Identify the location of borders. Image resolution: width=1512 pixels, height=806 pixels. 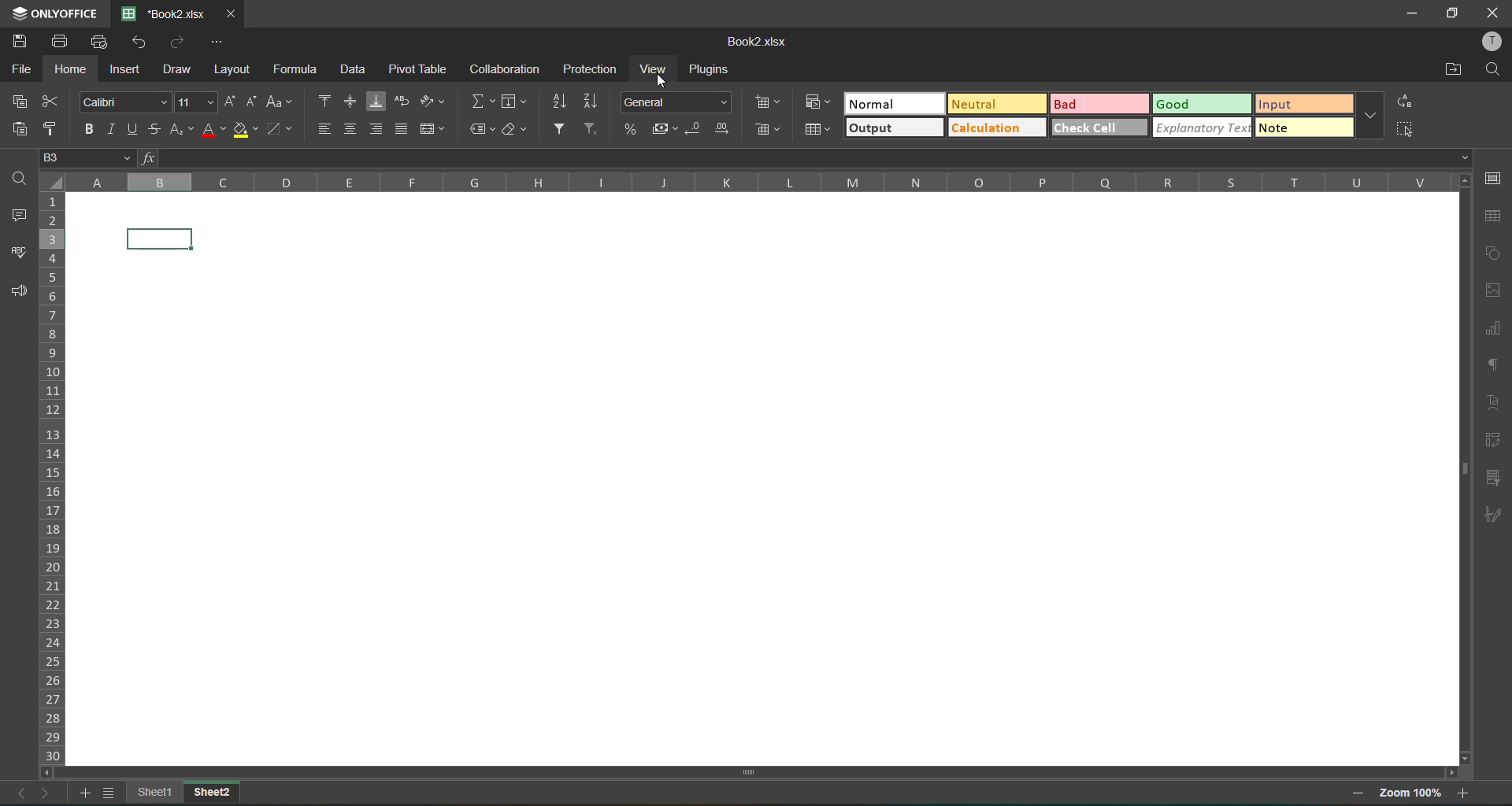
(279, 131).